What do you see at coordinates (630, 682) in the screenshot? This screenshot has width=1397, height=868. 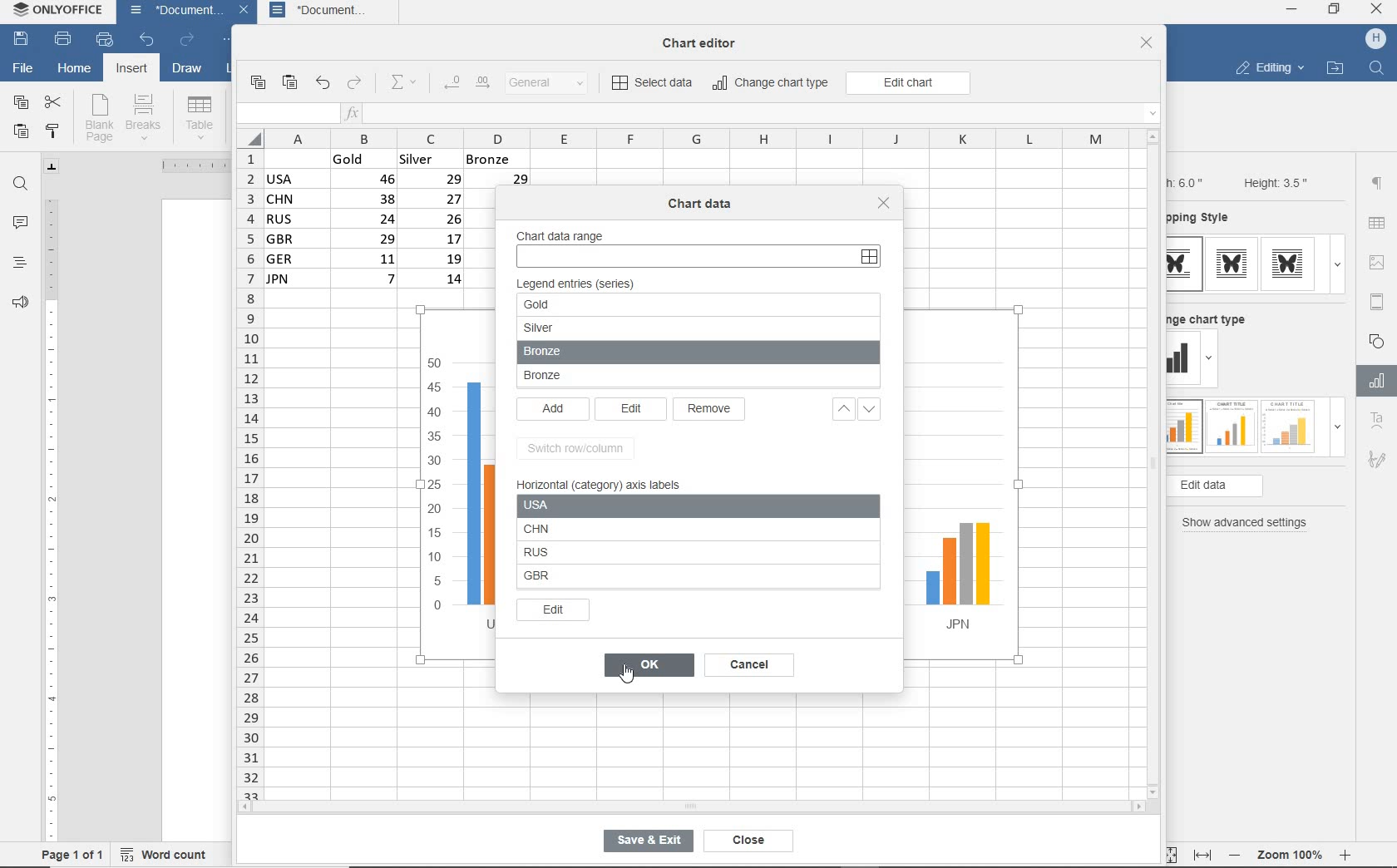 I see `cursor` at bounding box center [630, 682].